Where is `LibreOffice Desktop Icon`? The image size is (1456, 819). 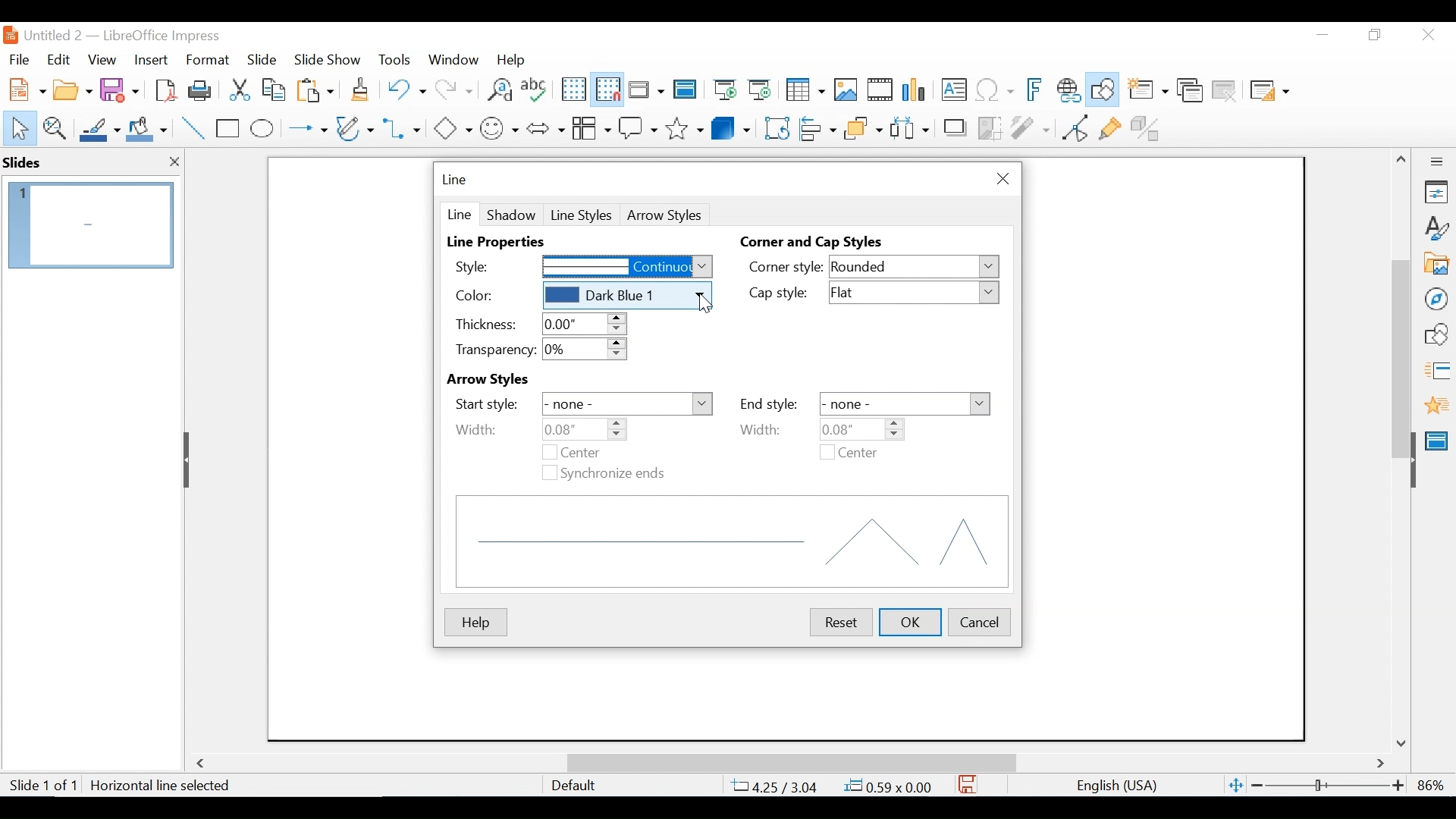 LibreOffice Desktop Icon is located at coordinates (9, 35).